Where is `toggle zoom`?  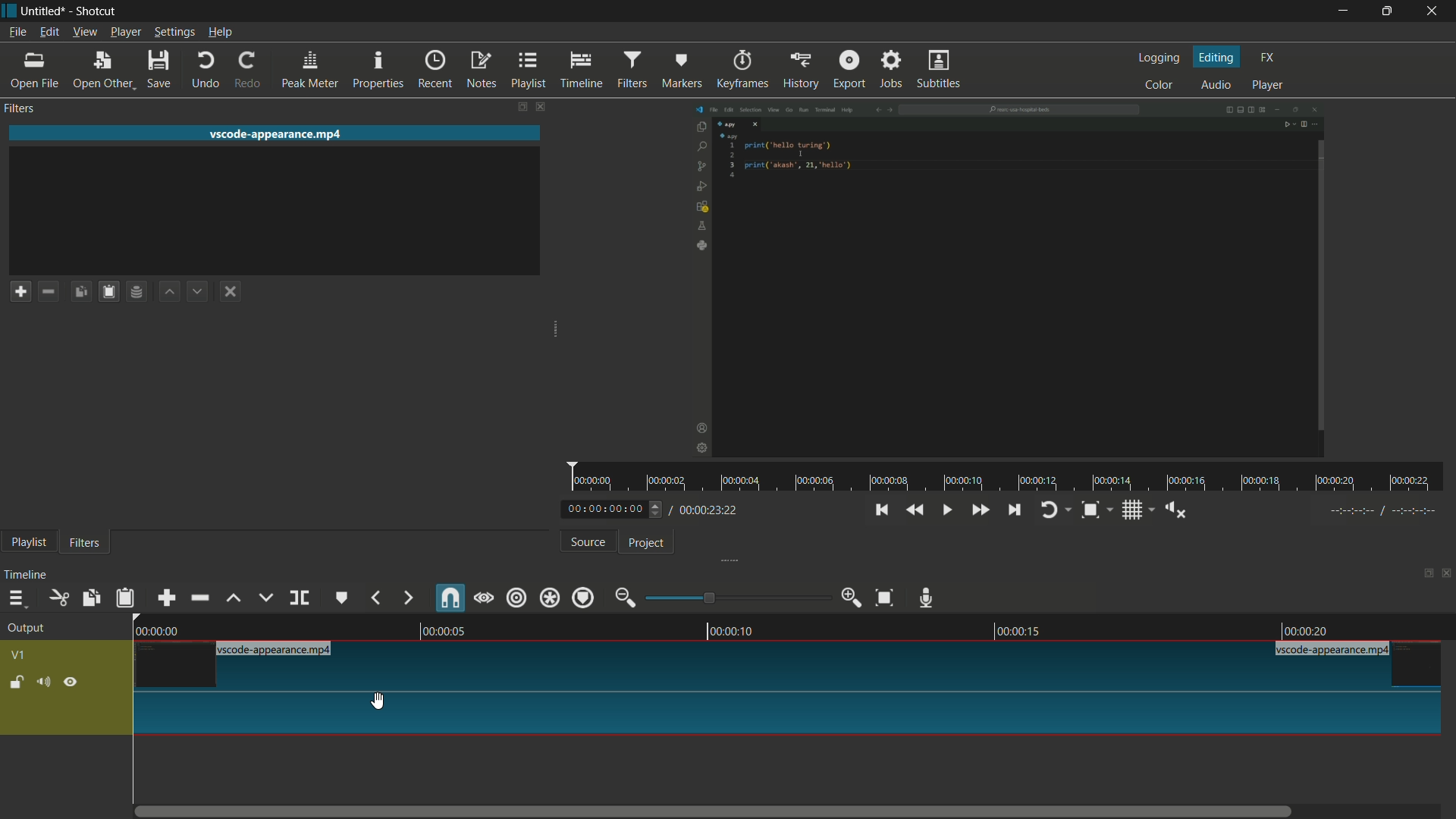 toggle zoom is located at coordinates (1090, 510).